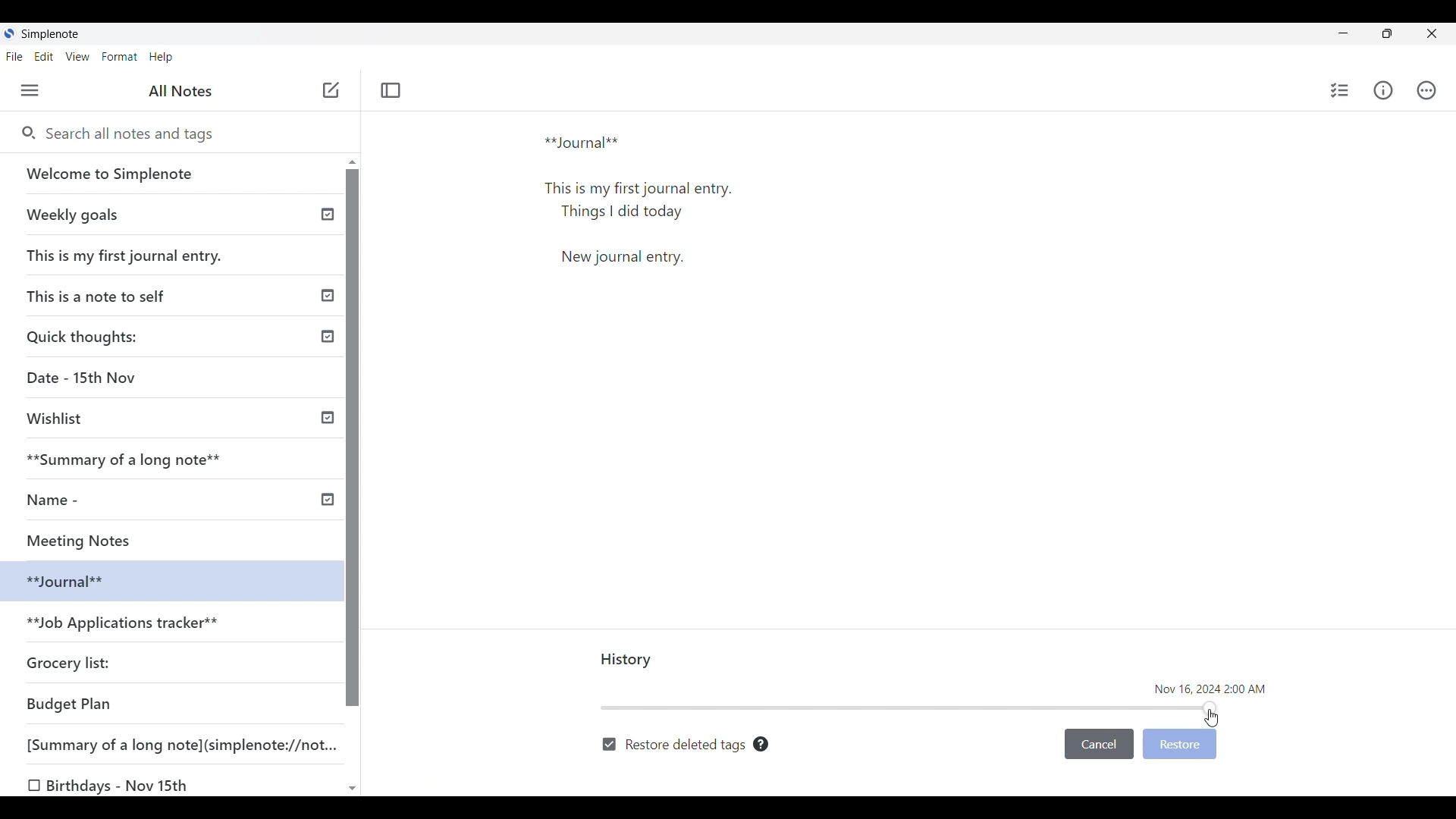 The image size is (1456, 819). I want to click on File menu, so click(15, 57).